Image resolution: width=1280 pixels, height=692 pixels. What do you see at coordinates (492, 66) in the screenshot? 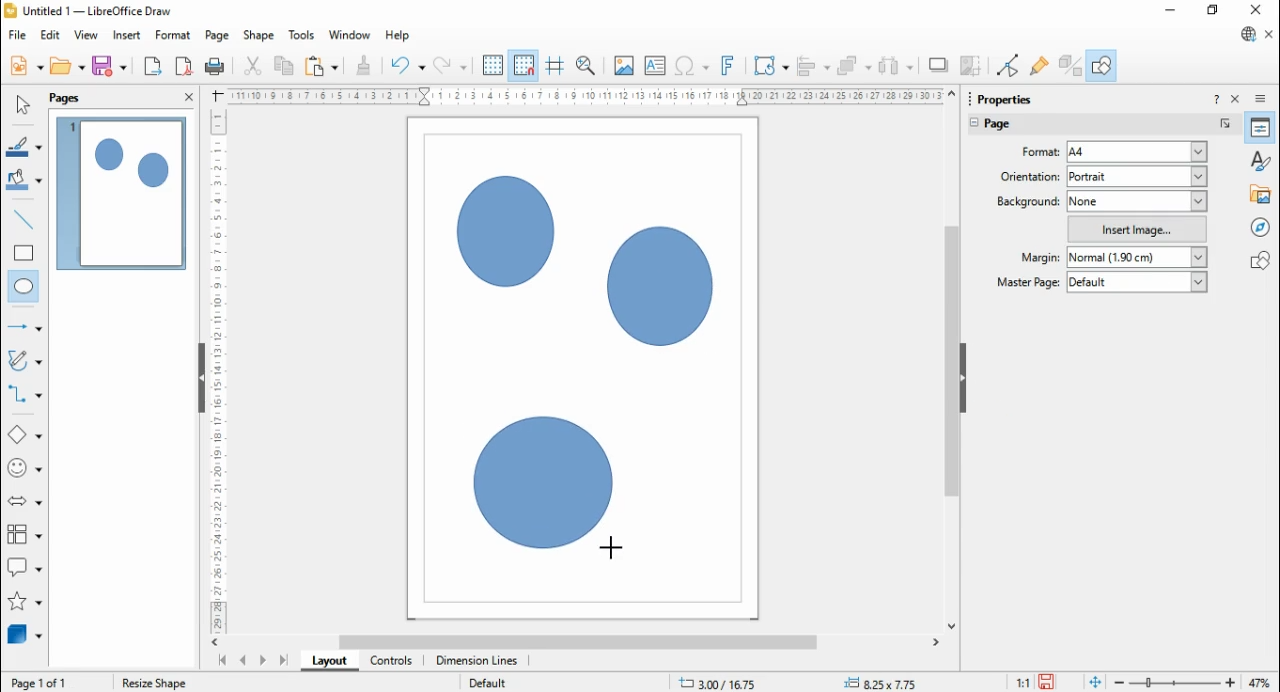
I see `display grid` at bounding box center [492, 66].